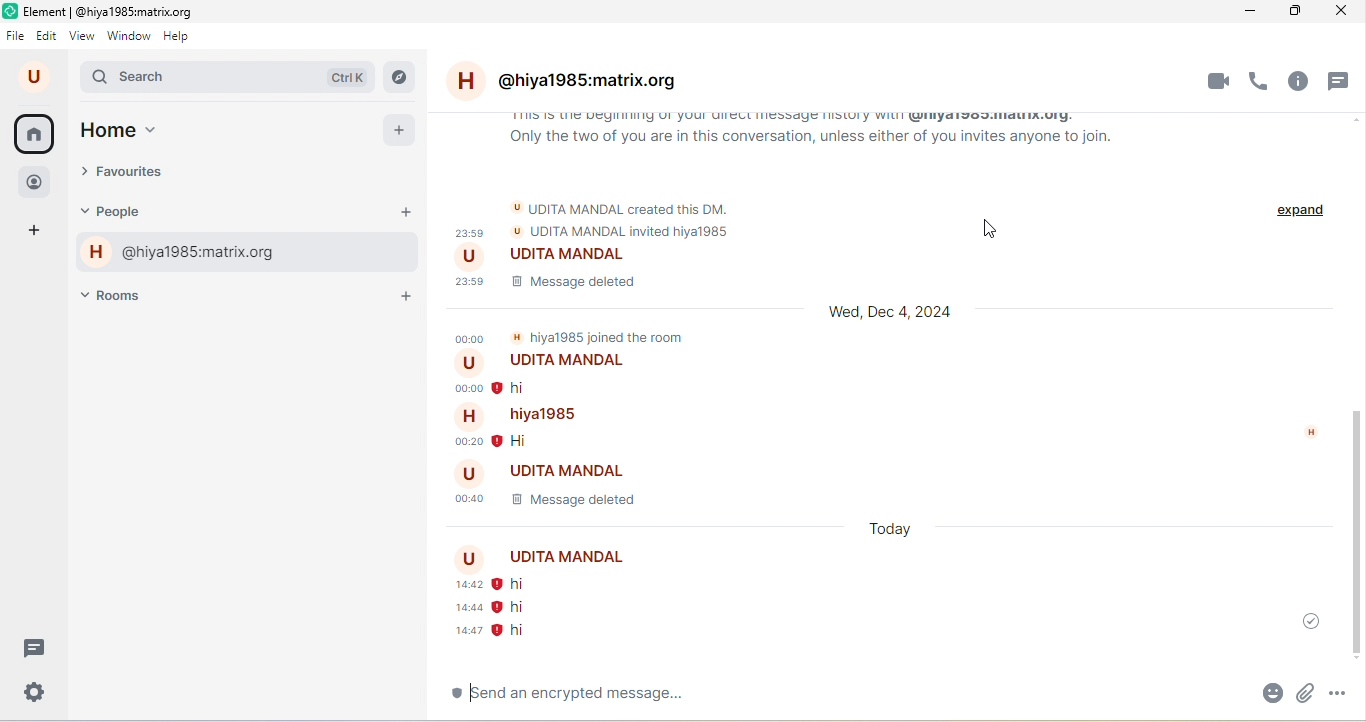 Image resolution: width=1366 pixels, height=722 pixels. Describe the element at coordinates (575, 84) in the screenshot. I see `@hiya1985.matrix.org` at that location.